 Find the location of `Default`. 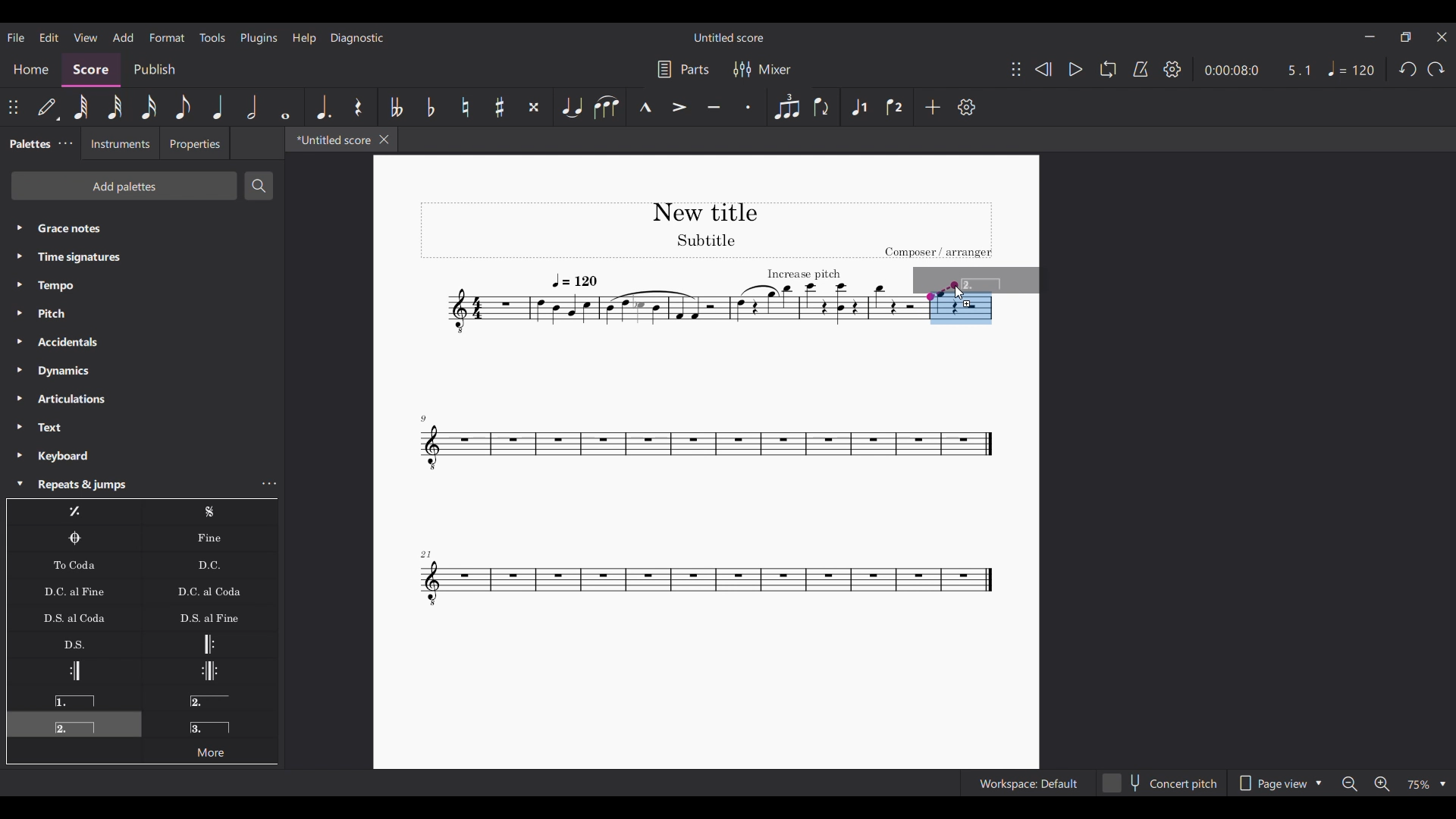

Default is located at coordinates (49, 107).